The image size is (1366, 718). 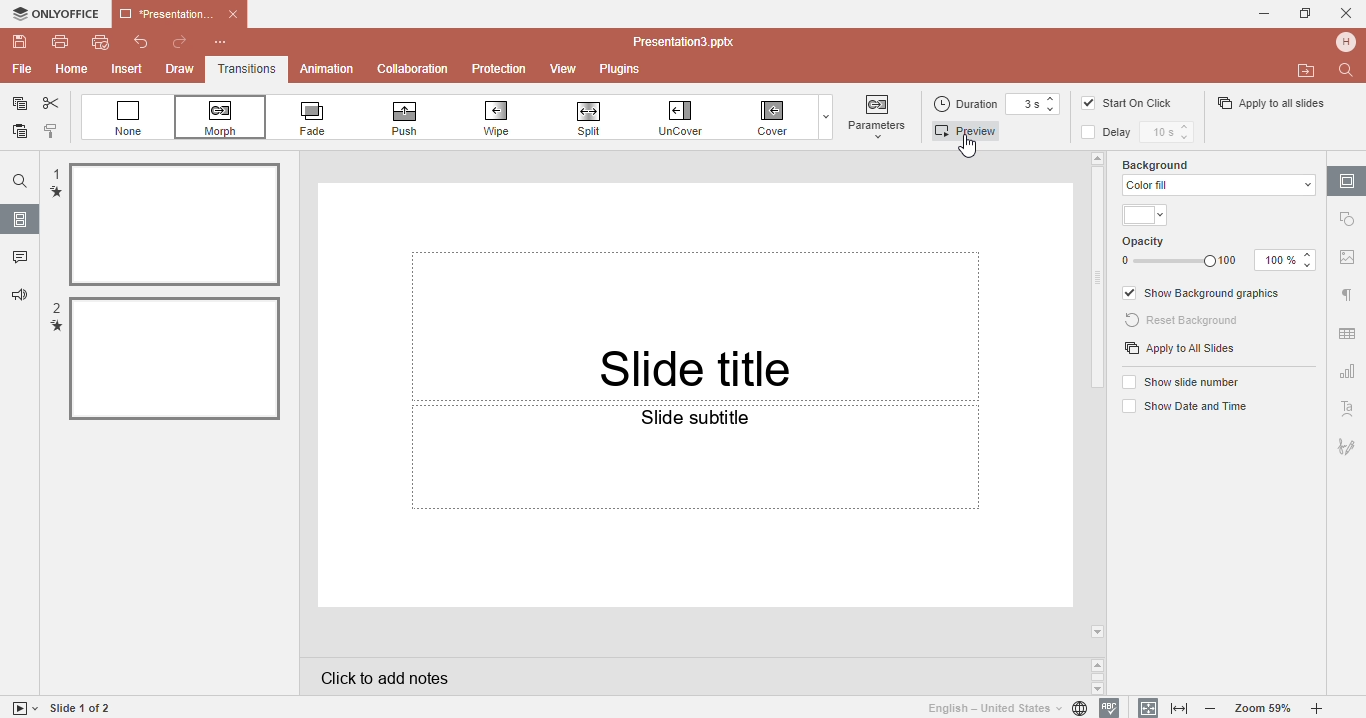 What do you see at coordinates (1185, 321) in the screenshot?
I see `Reset background` at bounding box center [1185, 321].